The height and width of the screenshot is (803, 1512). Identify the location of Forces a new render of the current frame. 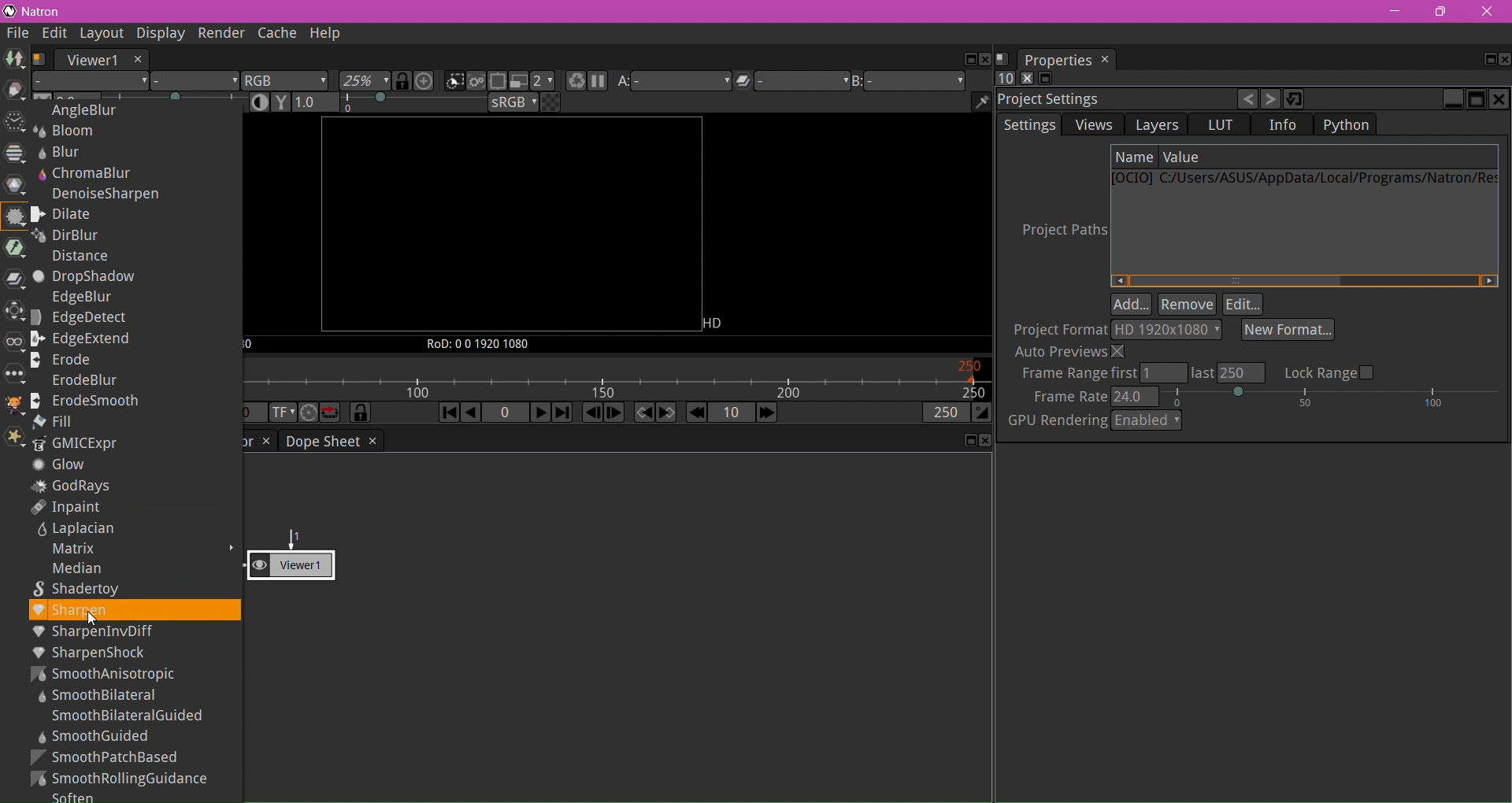
(573, 83).